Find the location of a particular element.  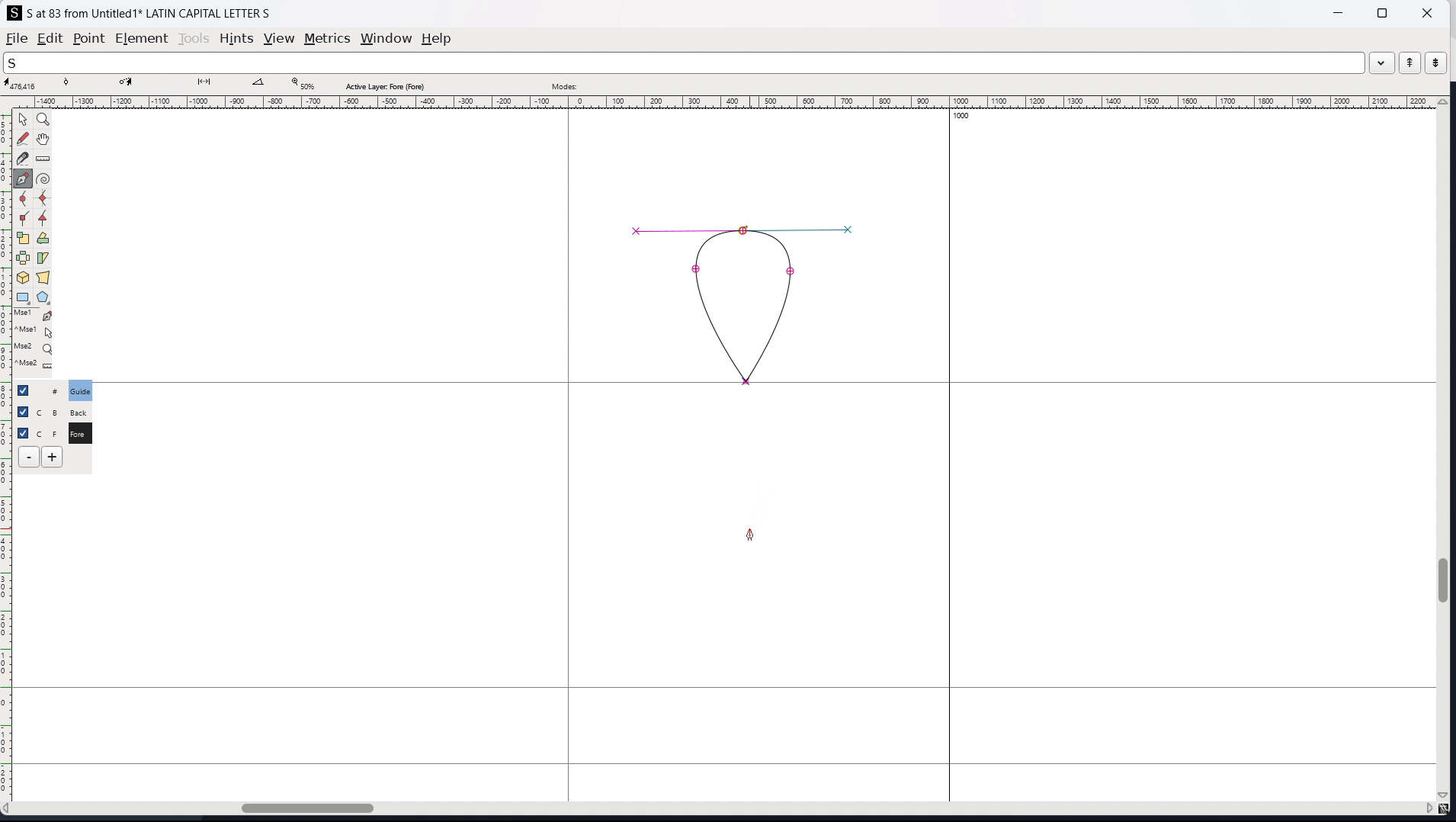

add a tangent point is located at coordinates (43, 219).